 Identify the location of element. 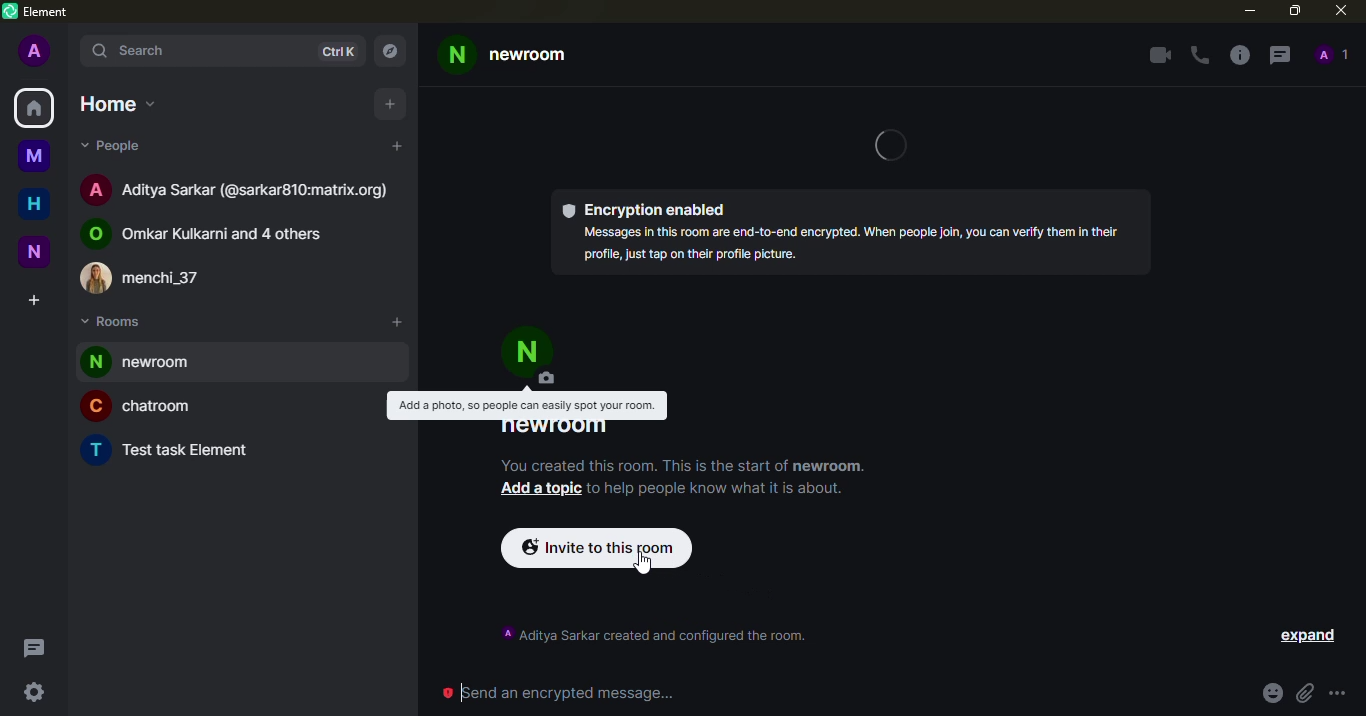
(38, 12).